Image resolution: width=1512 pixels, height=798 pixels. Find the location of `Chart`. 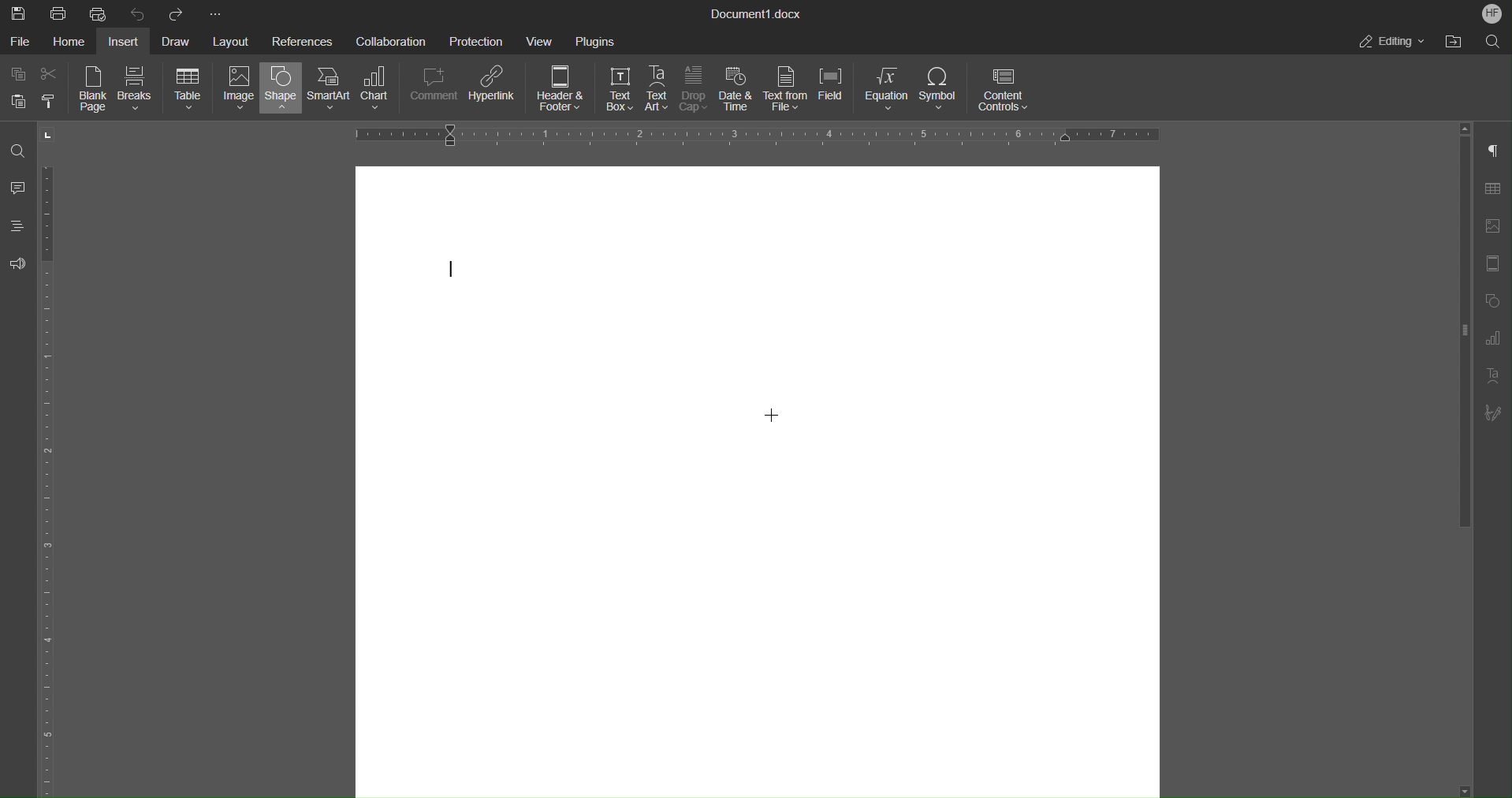

Chart is located at coordinates (382, 91).